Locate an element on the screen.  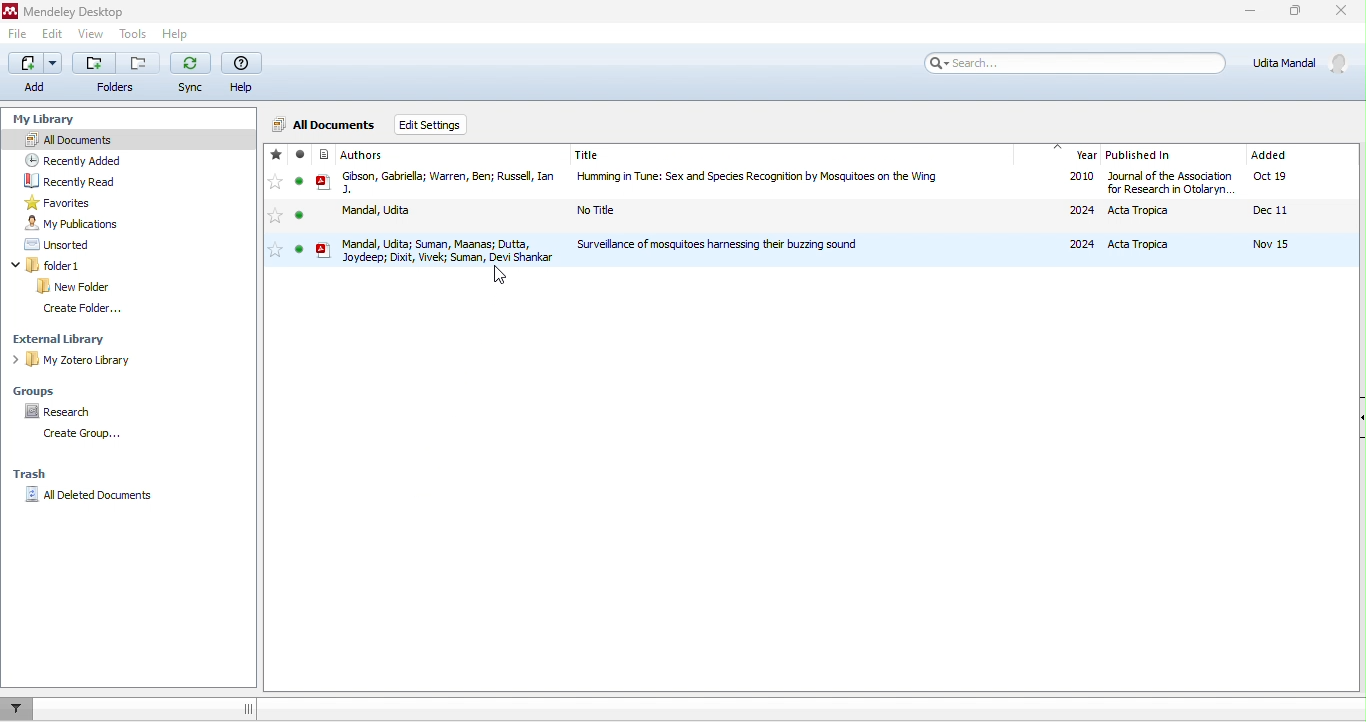
edit is located at coordinates (53, 36).